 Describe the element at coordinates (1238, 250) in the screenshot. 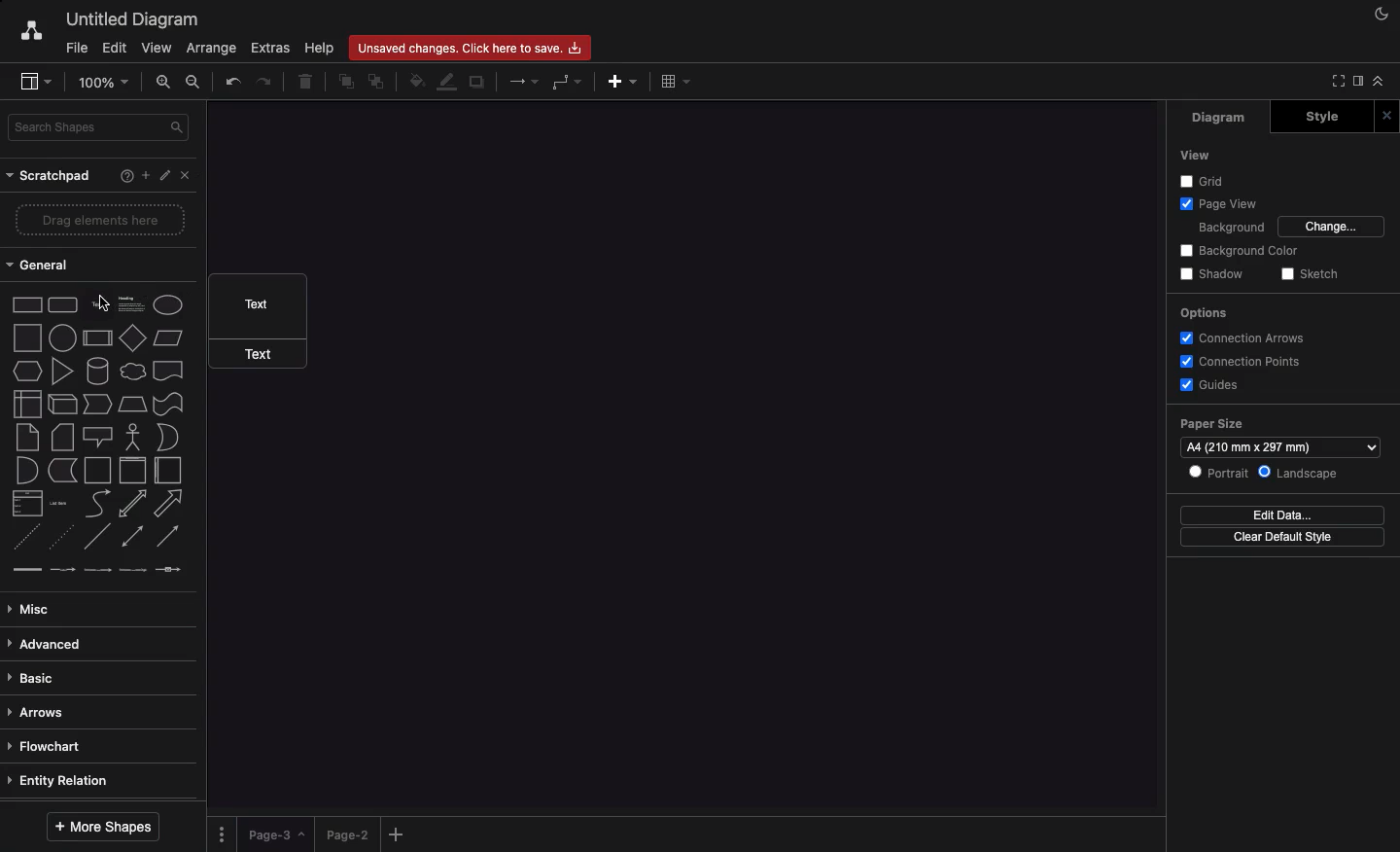

I see `Background color` at that location.